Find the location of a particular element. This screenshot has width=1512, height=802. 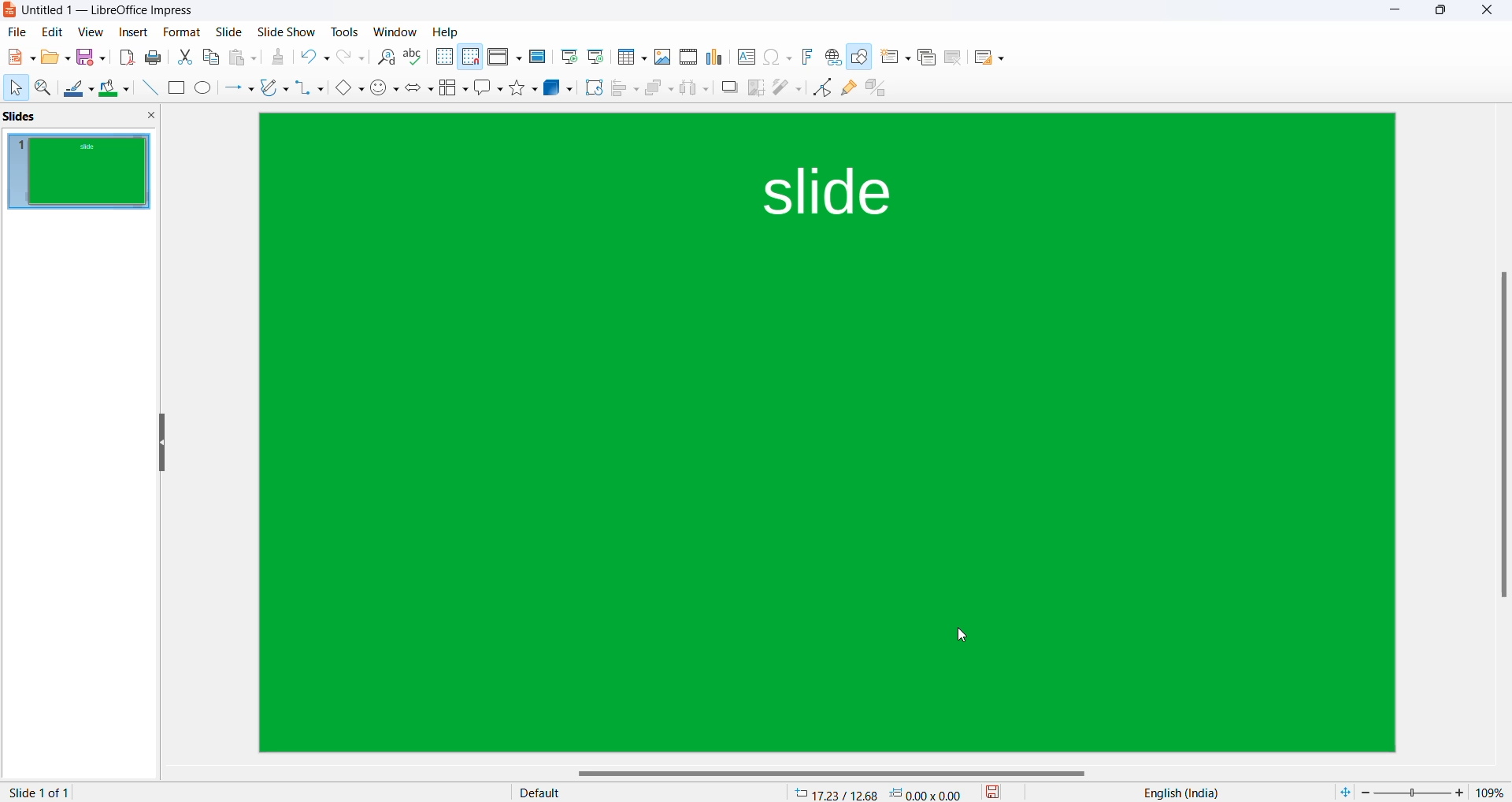

close is located at coordinates (1397, 12).